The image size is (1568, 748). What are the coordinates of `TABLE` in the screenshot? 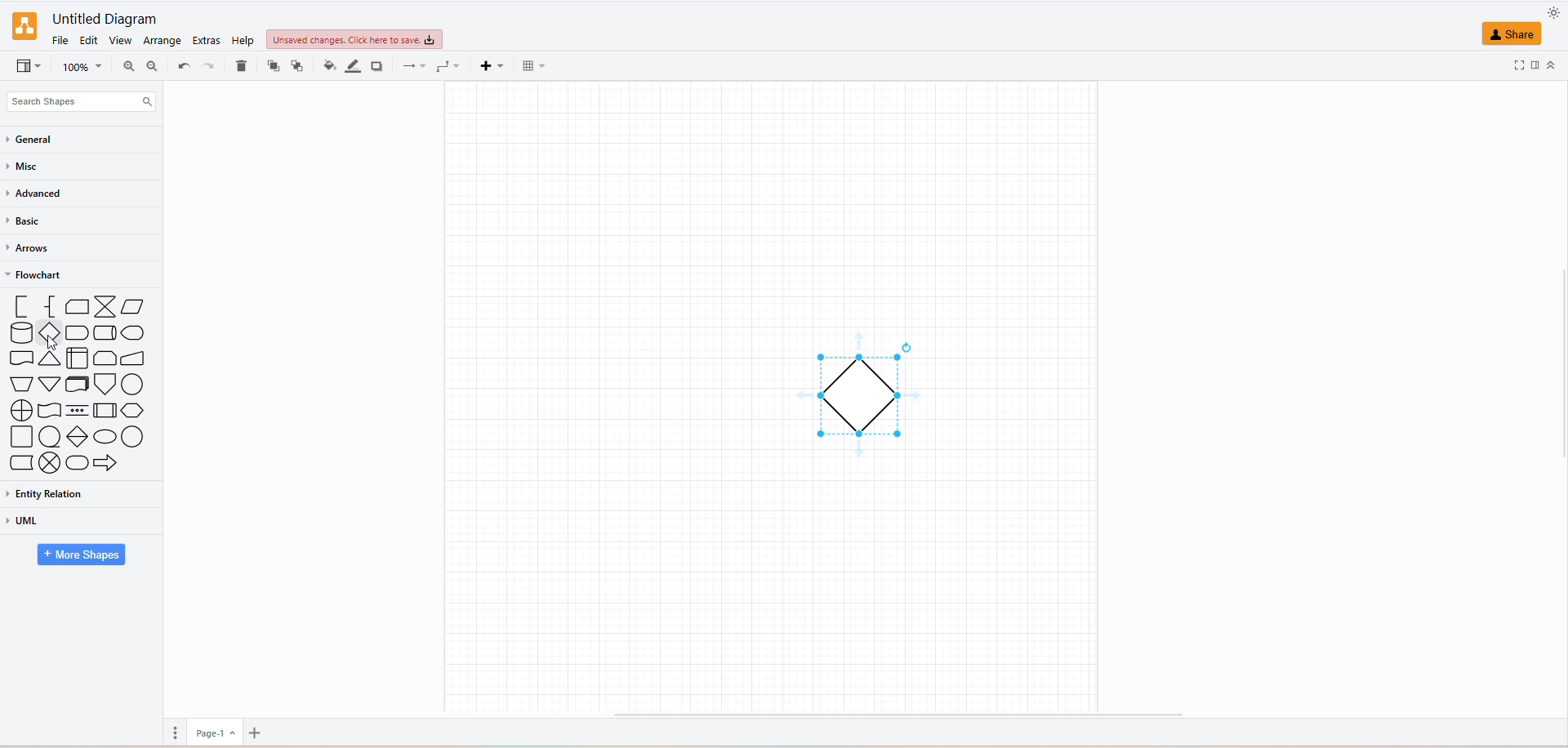 It's located at (529, 65).